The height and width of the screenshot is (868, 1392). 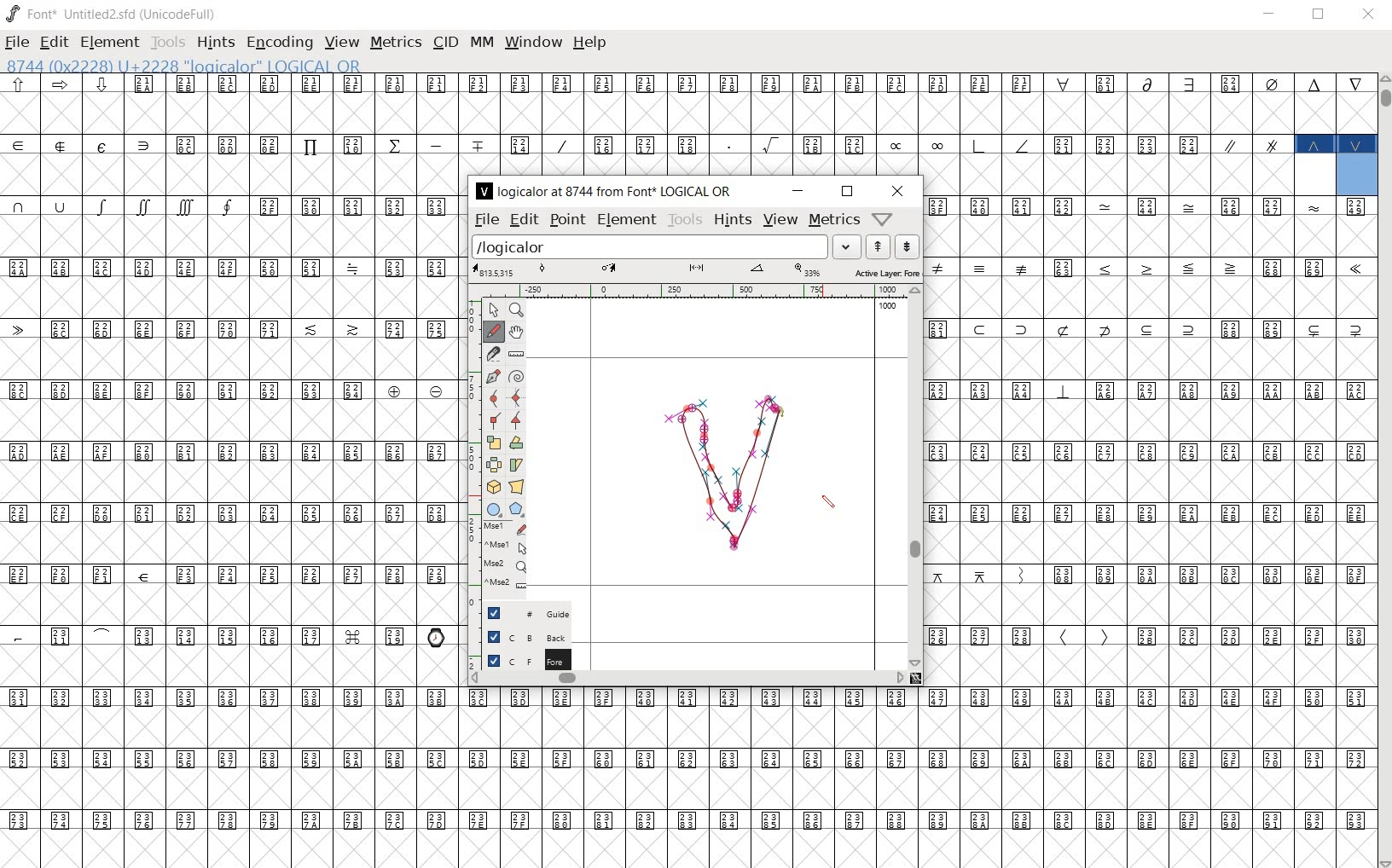 I want to click on Help/Window, so click(x=880, y=218).